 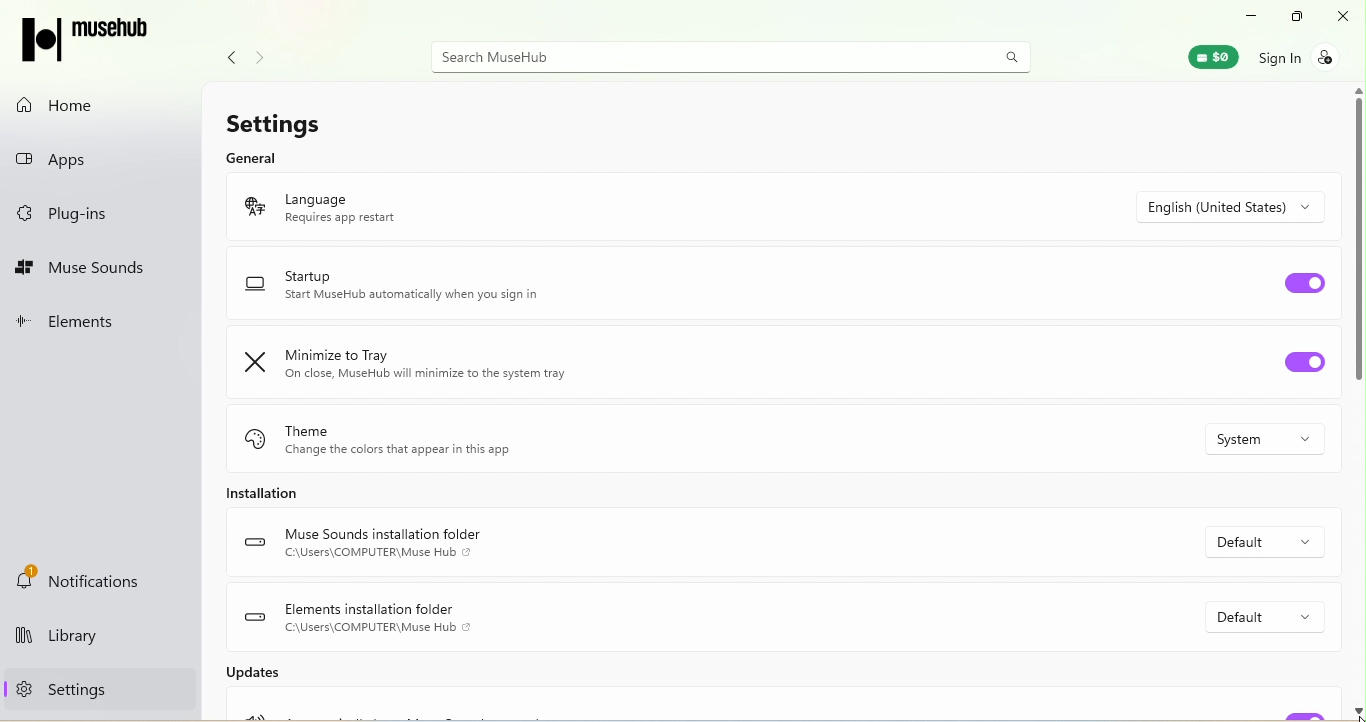 What do you see at coordinates (378, 553) in the screenshot?
I see `C\Users\COMPUTER\Muse Hub ©` at bounding box center [378, 553].